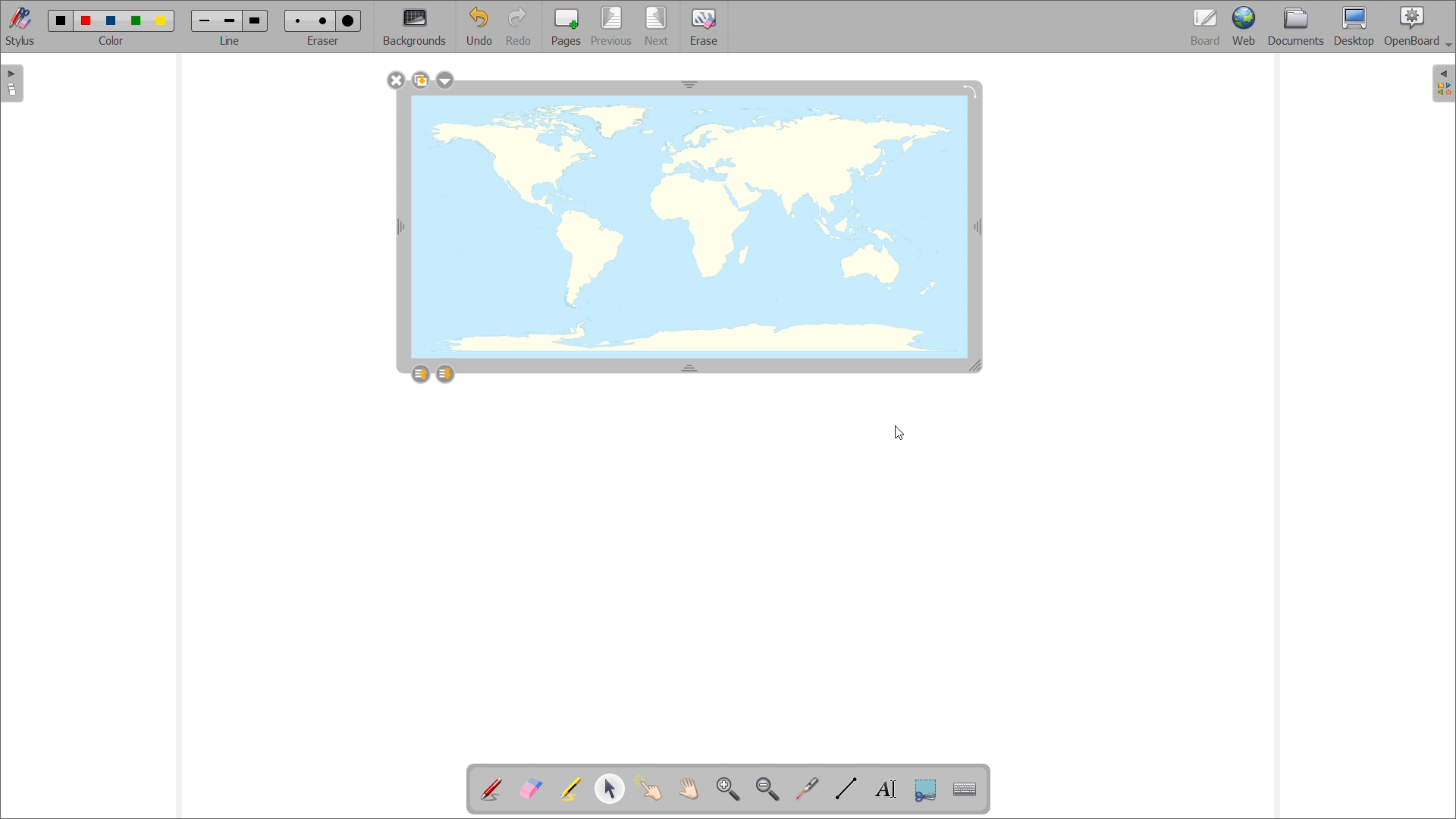 The width and height of the screenshot is (1456, 819). Describe the element at coordinates (979, 367) in the screenshot. I see `resize` at that location.